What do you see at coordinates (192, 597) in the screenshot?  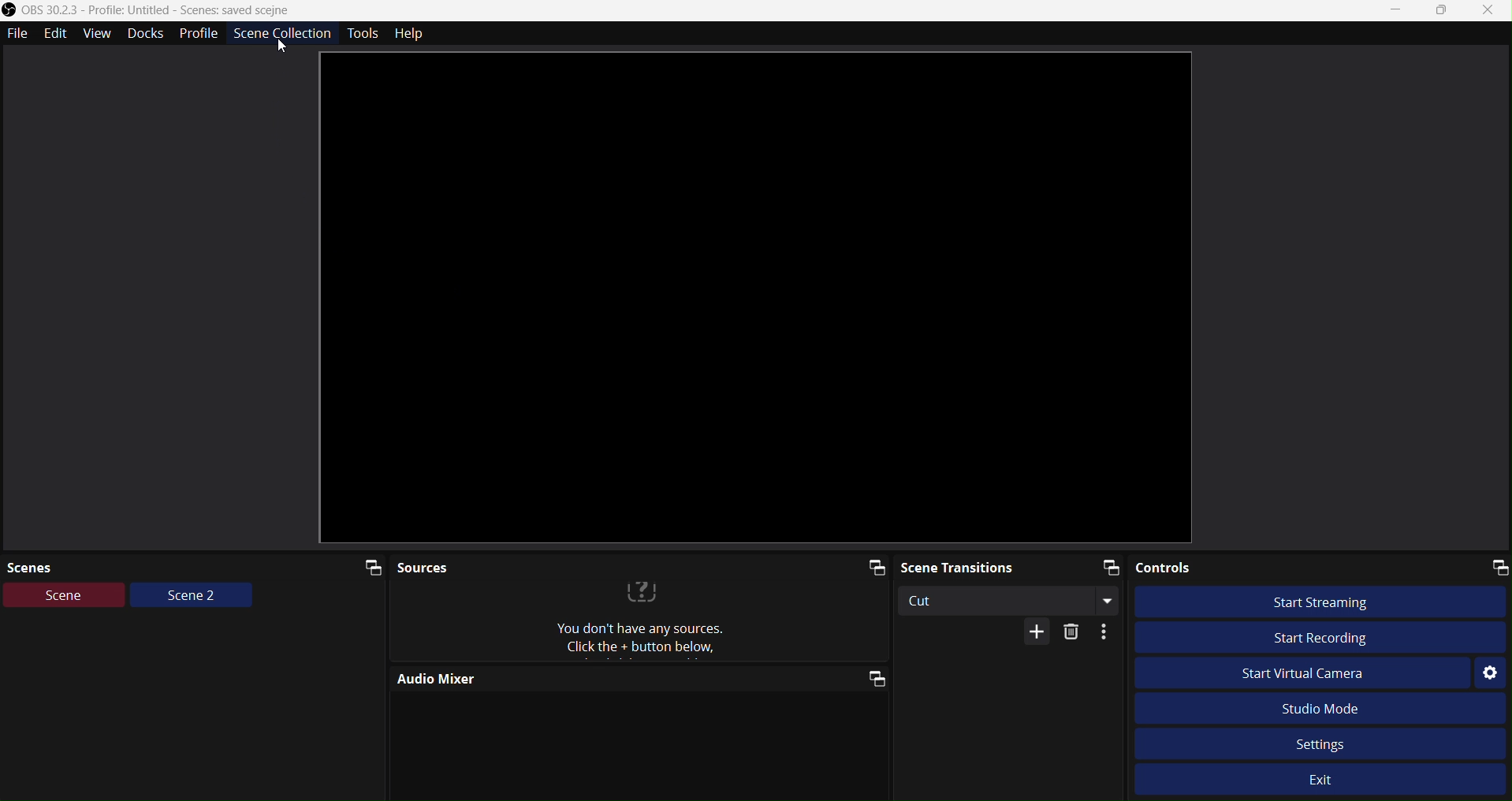 I see `Scene2` at bounding box center [192, 597].